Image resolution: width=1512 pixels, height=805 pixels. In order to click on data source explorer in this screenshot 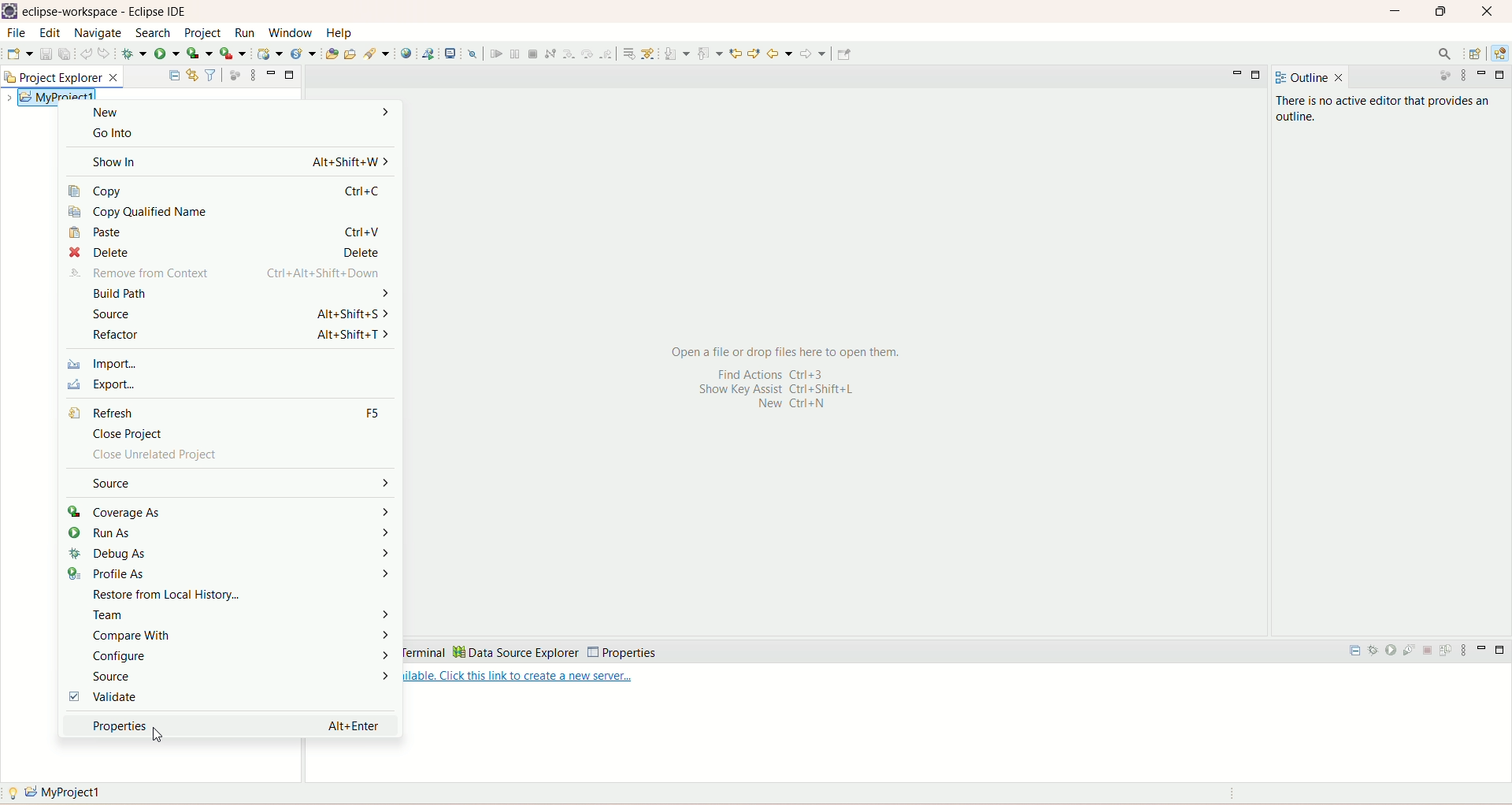, I will do `click(517, 652)`.